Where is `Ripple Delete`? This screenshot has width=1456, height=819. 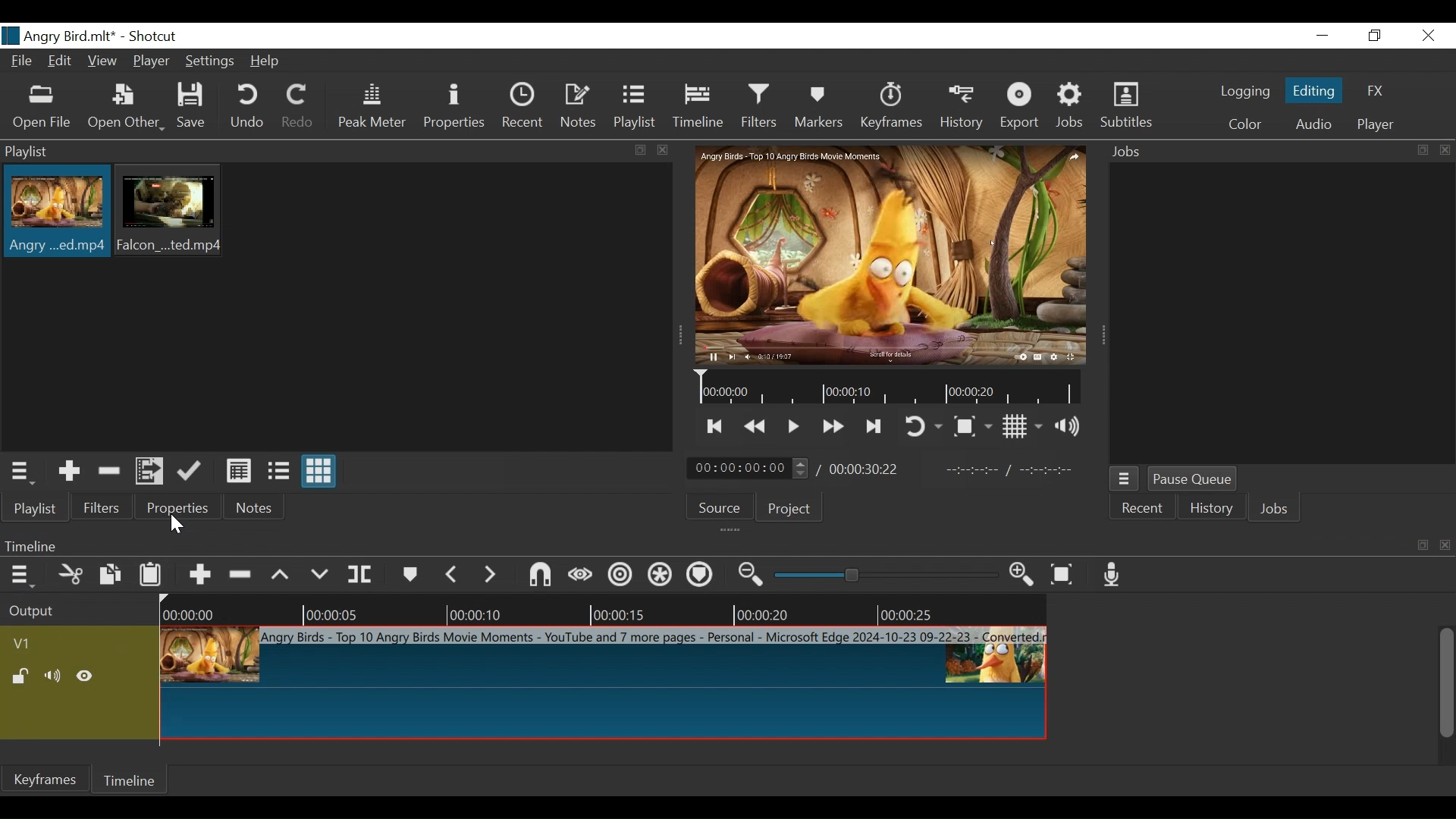
Ripple Delete is located at coordinates (243, 576).